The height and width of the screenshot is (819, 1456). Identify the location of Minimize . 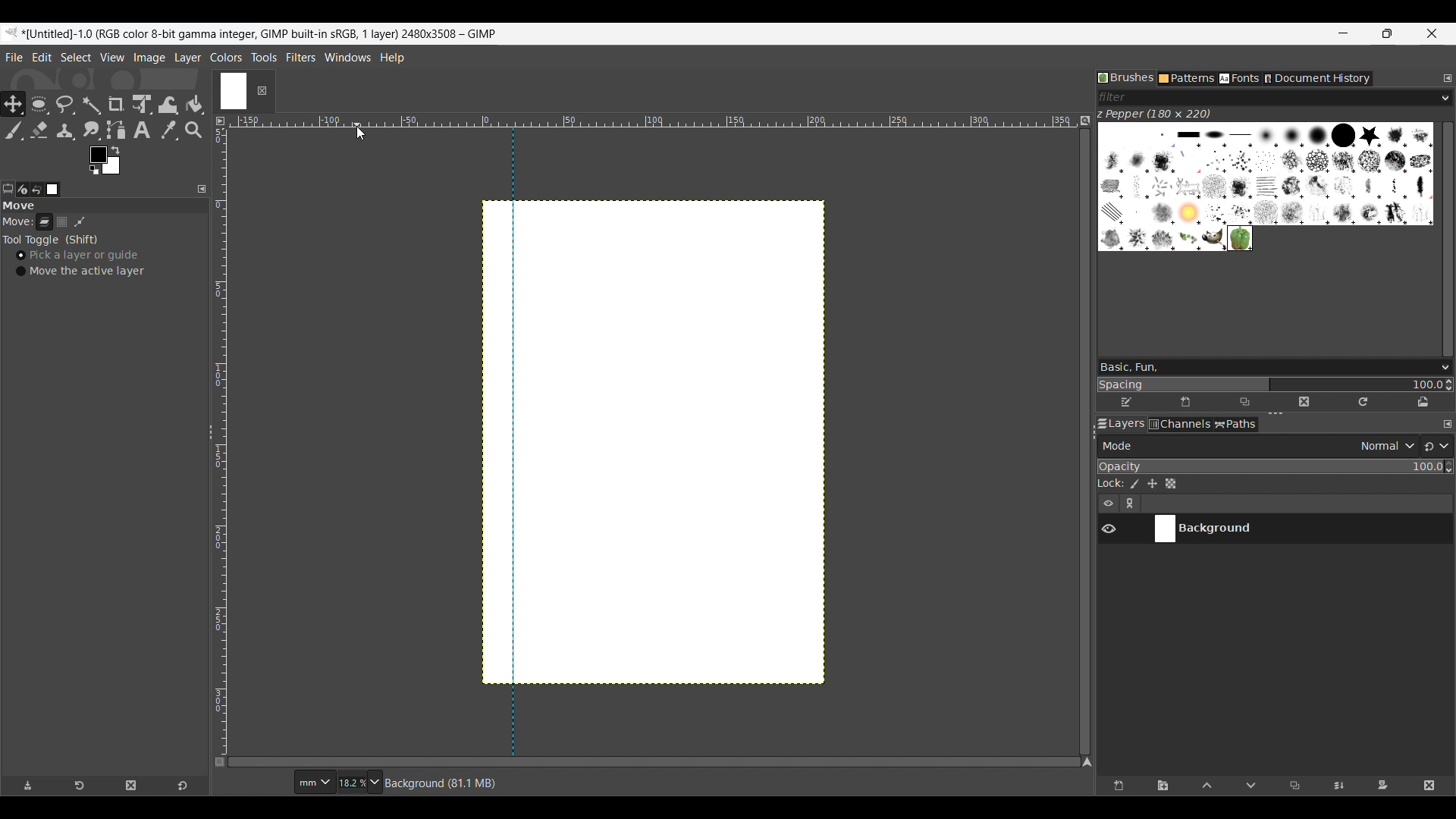
(1344, 33).